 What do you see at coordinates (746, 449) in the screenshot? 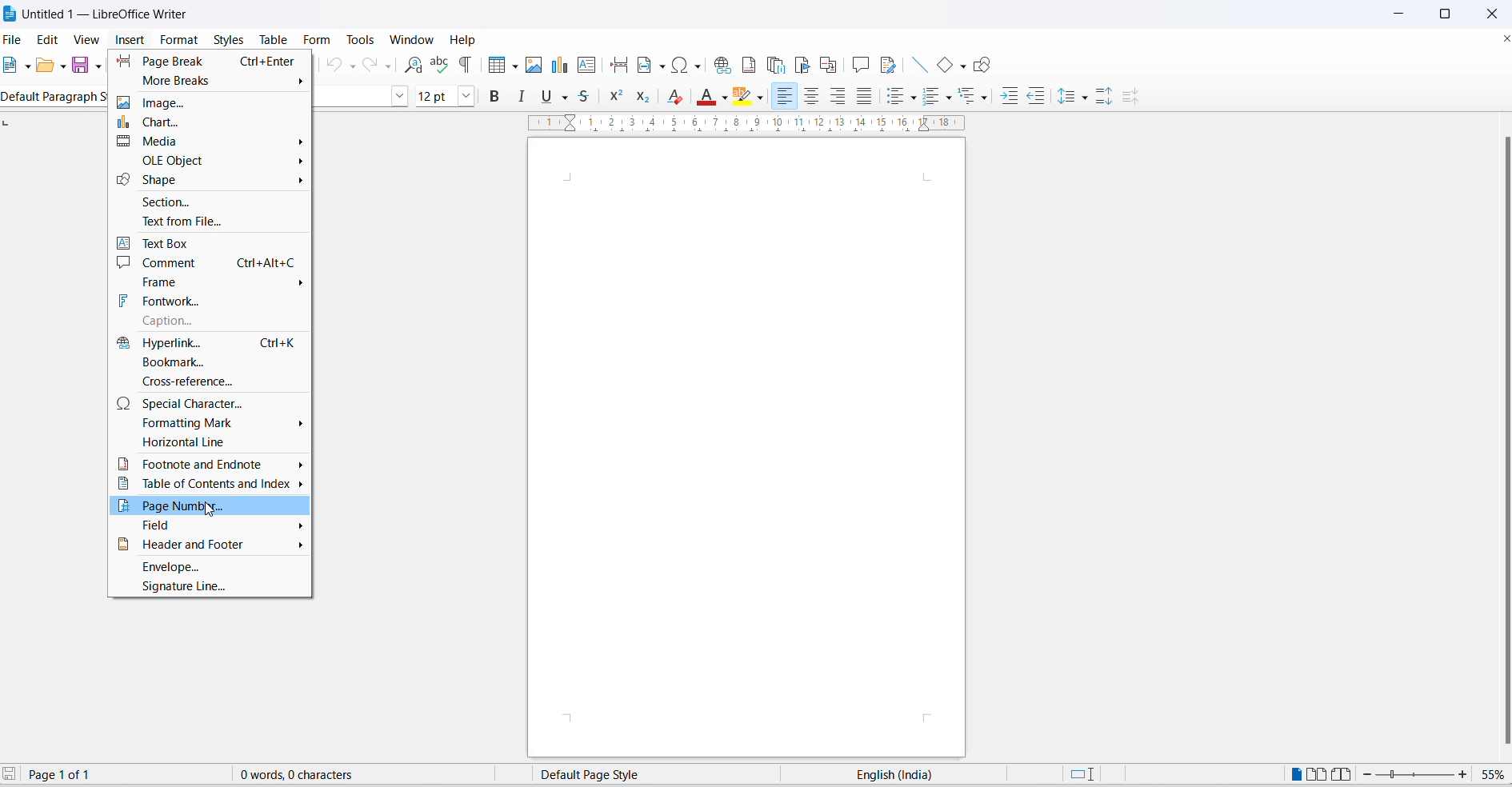
I see `page` at bounding box center [746, 449].